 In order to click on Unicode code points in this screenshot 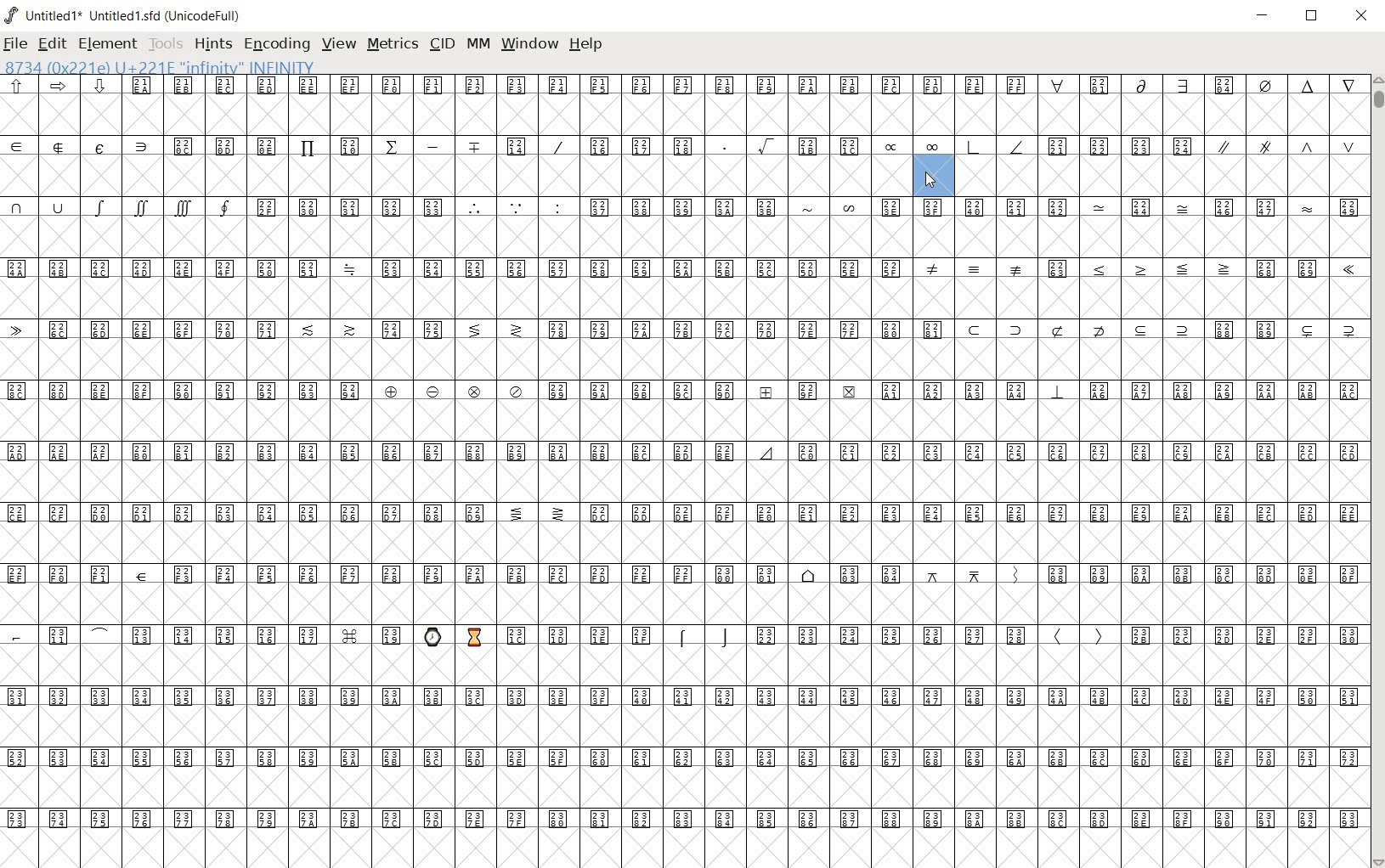, I will do `click(1243, 635)`.